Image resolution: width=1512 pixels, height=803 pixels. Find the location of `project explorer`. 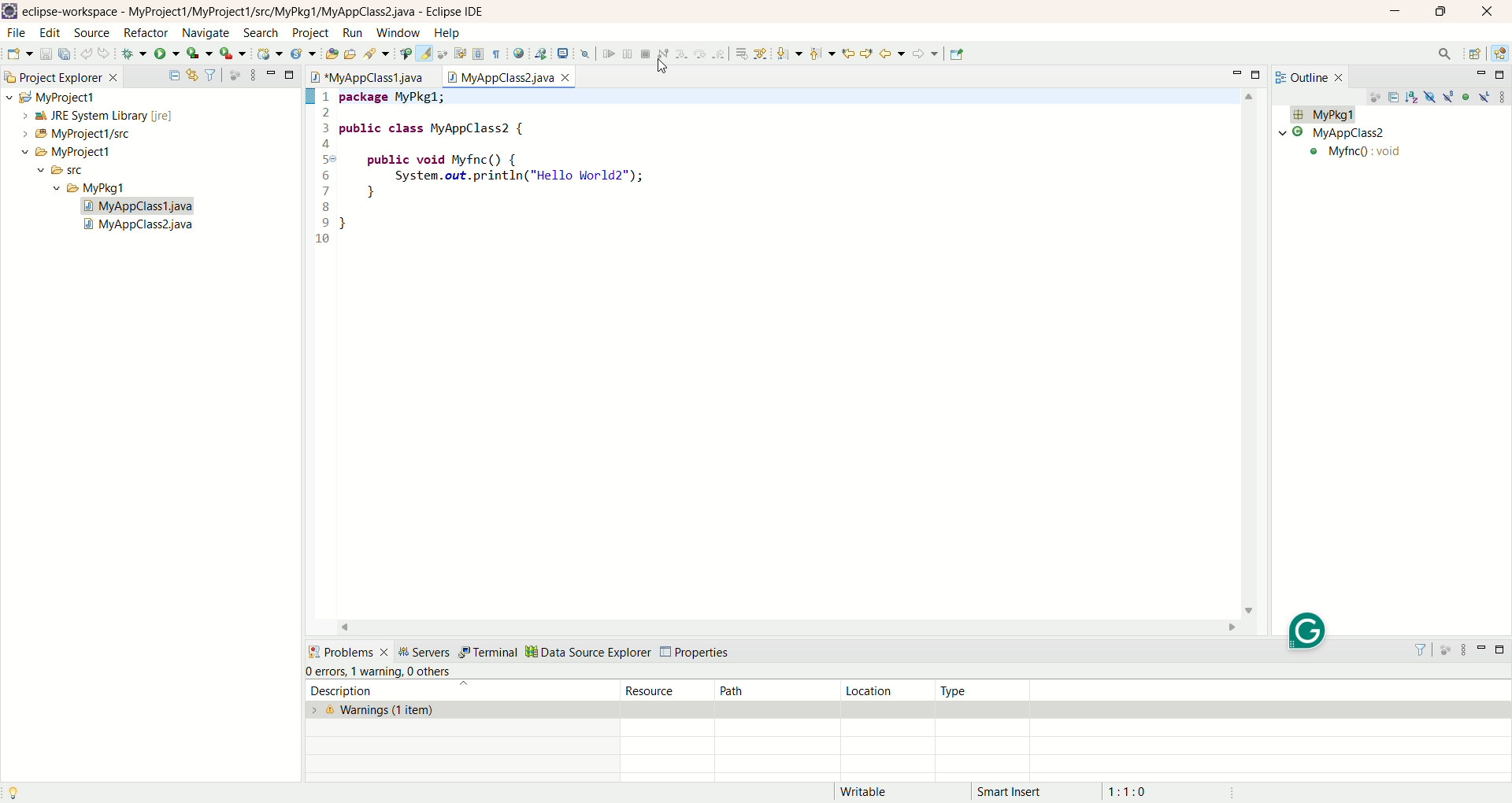

project explorer is located at coordinates (60, 76).